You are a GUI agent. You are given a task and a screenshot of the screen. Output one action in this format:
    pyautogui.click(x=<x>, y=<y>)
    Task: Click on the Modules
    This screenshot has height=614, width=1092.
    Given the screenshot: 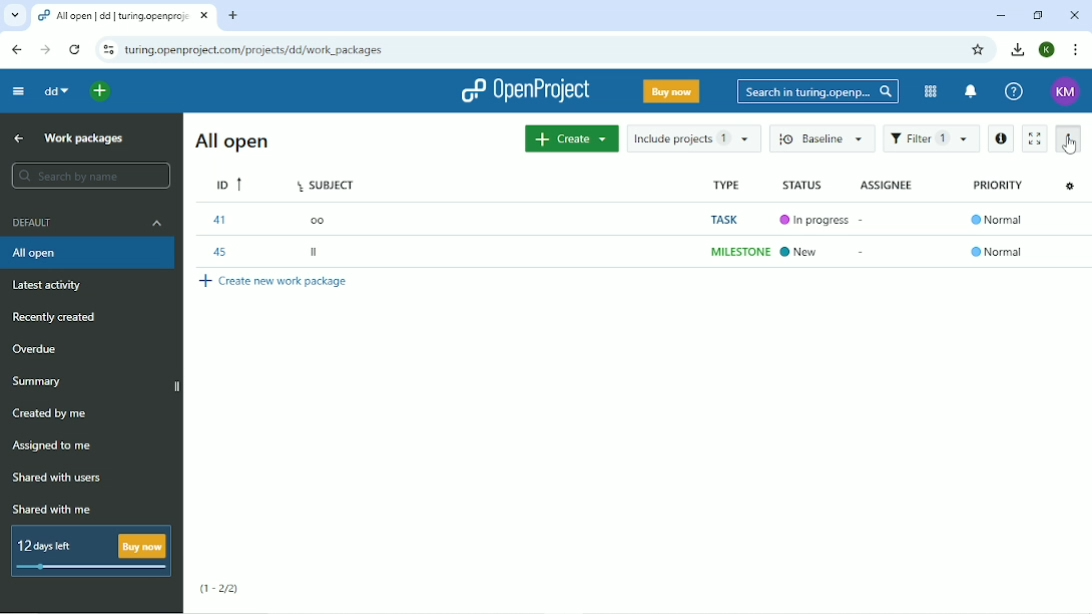 What is the action you would take?
    pyautogui.click(x=929, y=91)
    